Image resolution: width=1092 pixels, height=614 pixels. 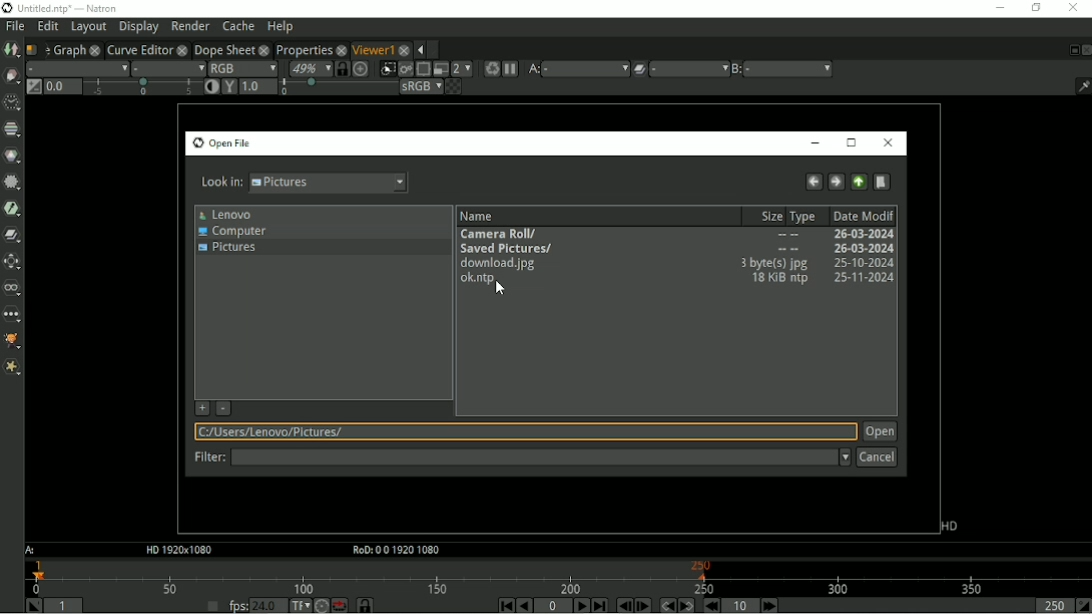 What do you see at coordinates (212, 605) in the screenshot?
I see `Set playback frame rate automatically` at bounding box center [212, 605].